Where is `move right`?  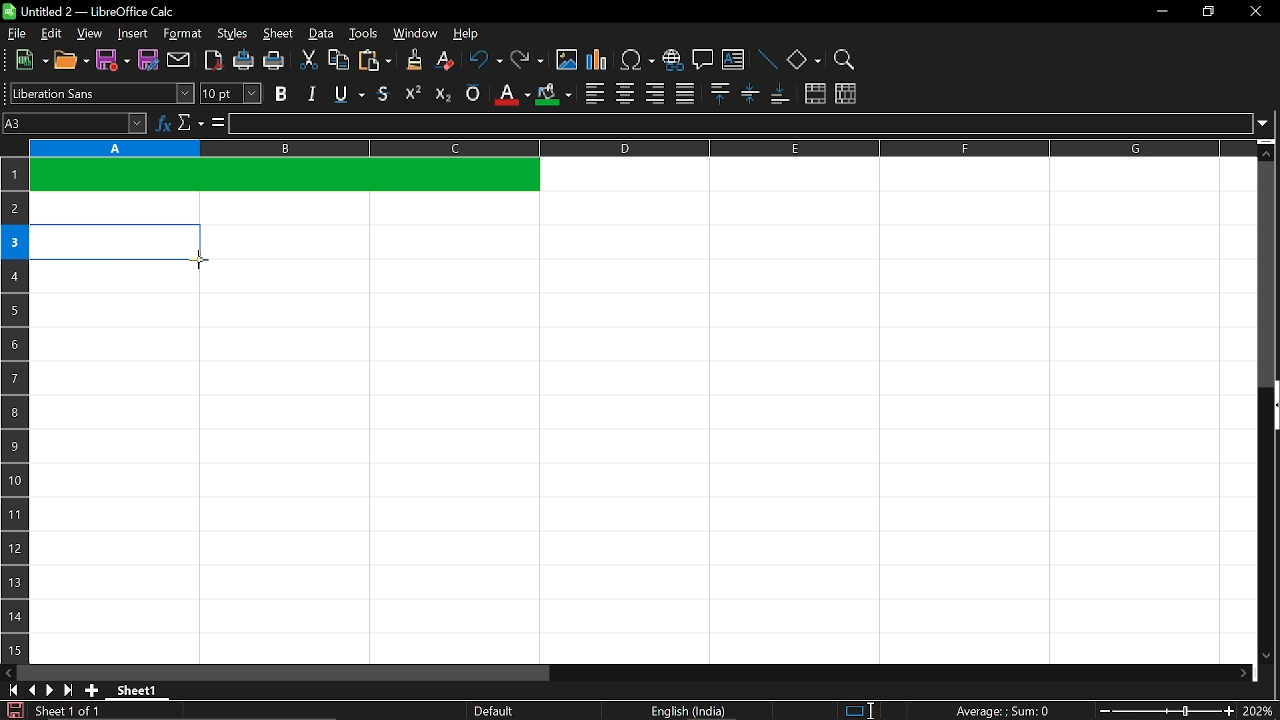
move right is located at coordinates (1245, 672).